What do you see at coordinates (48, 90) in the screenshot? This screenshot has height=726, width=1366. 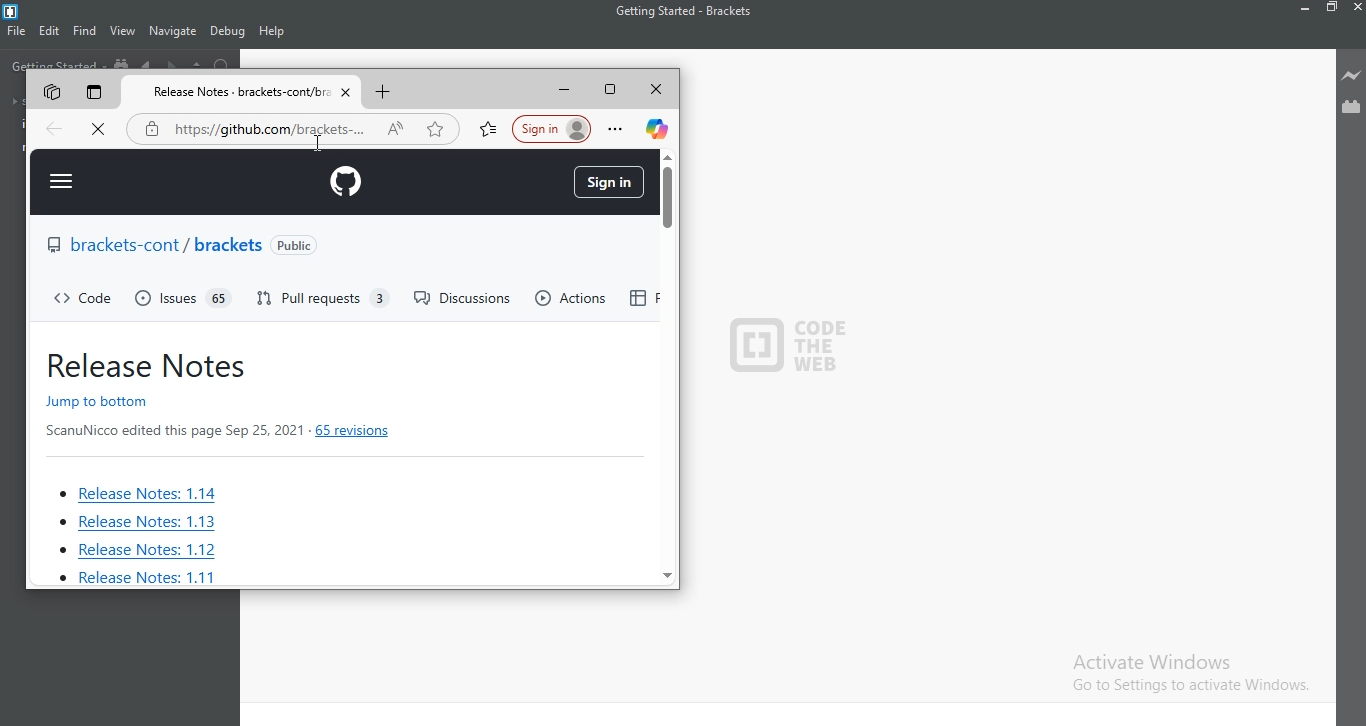 I see `mutiple tabs` at bounding box center [48, 90].